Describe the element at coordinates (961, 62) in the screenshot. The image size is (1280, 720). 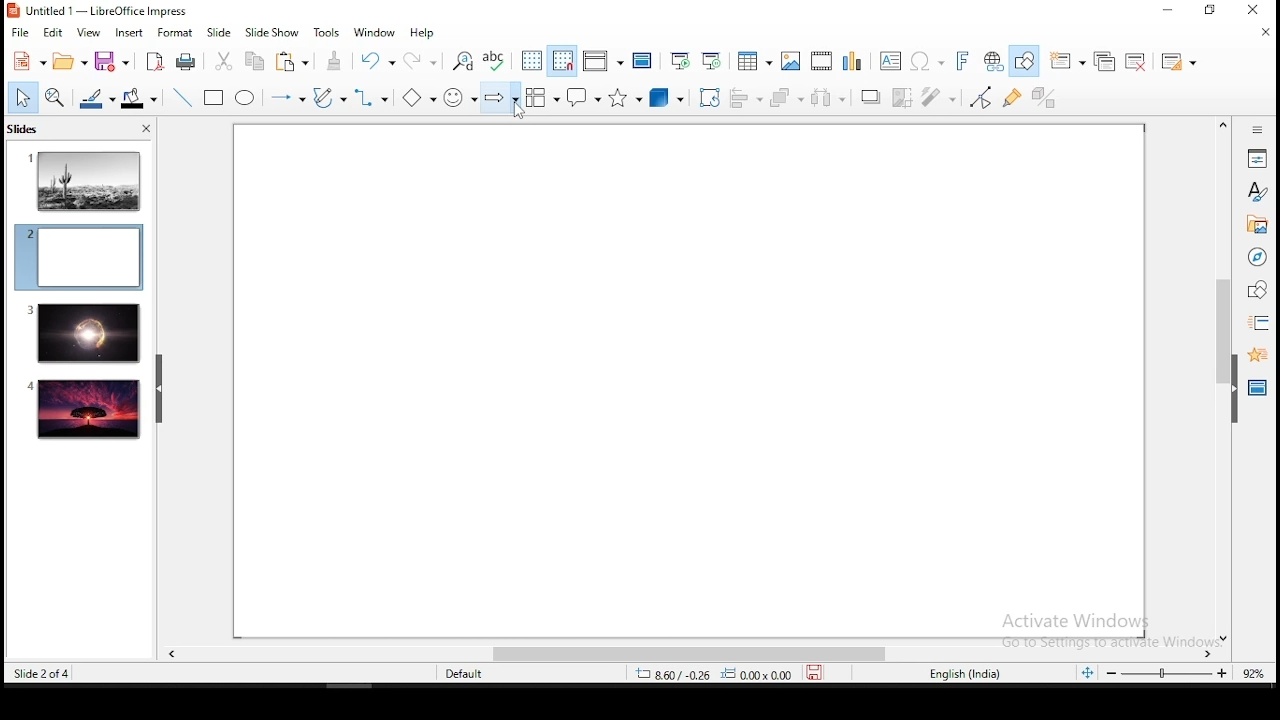
I see `fontwork text` at that location.